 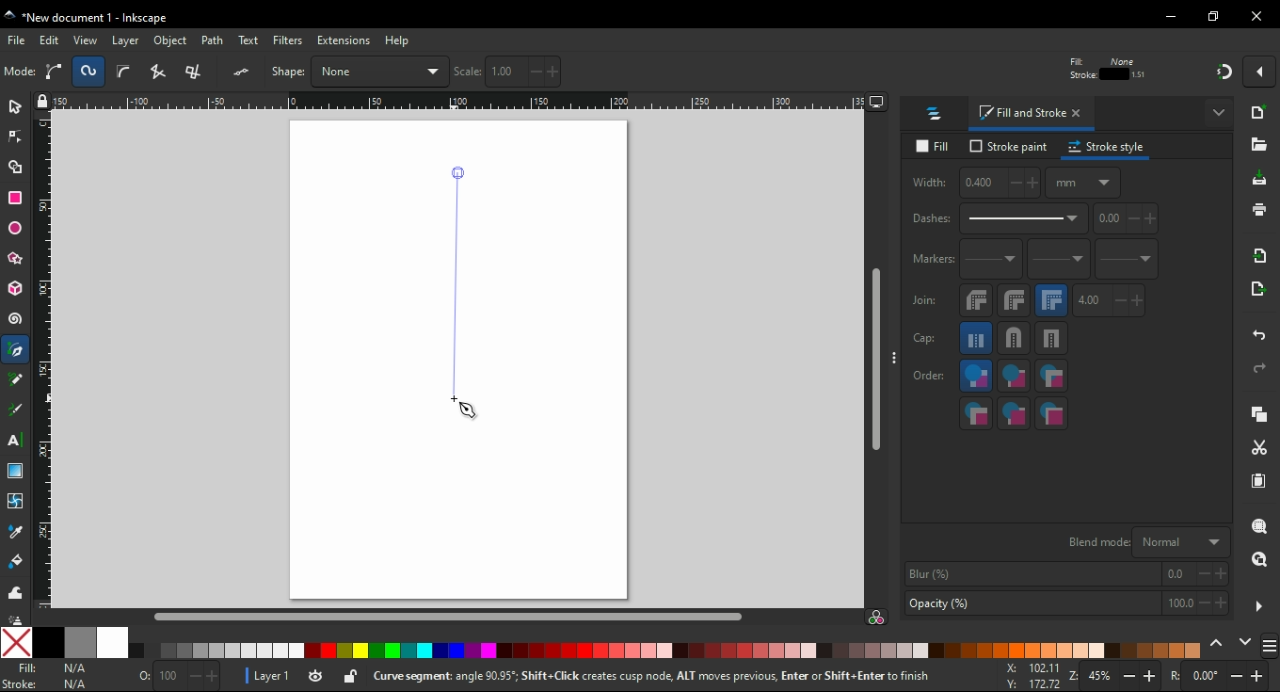 What do you see at coordinates (16, 288) in the screenshot?
I see `3D box tool` at bounding box center [16, 288].